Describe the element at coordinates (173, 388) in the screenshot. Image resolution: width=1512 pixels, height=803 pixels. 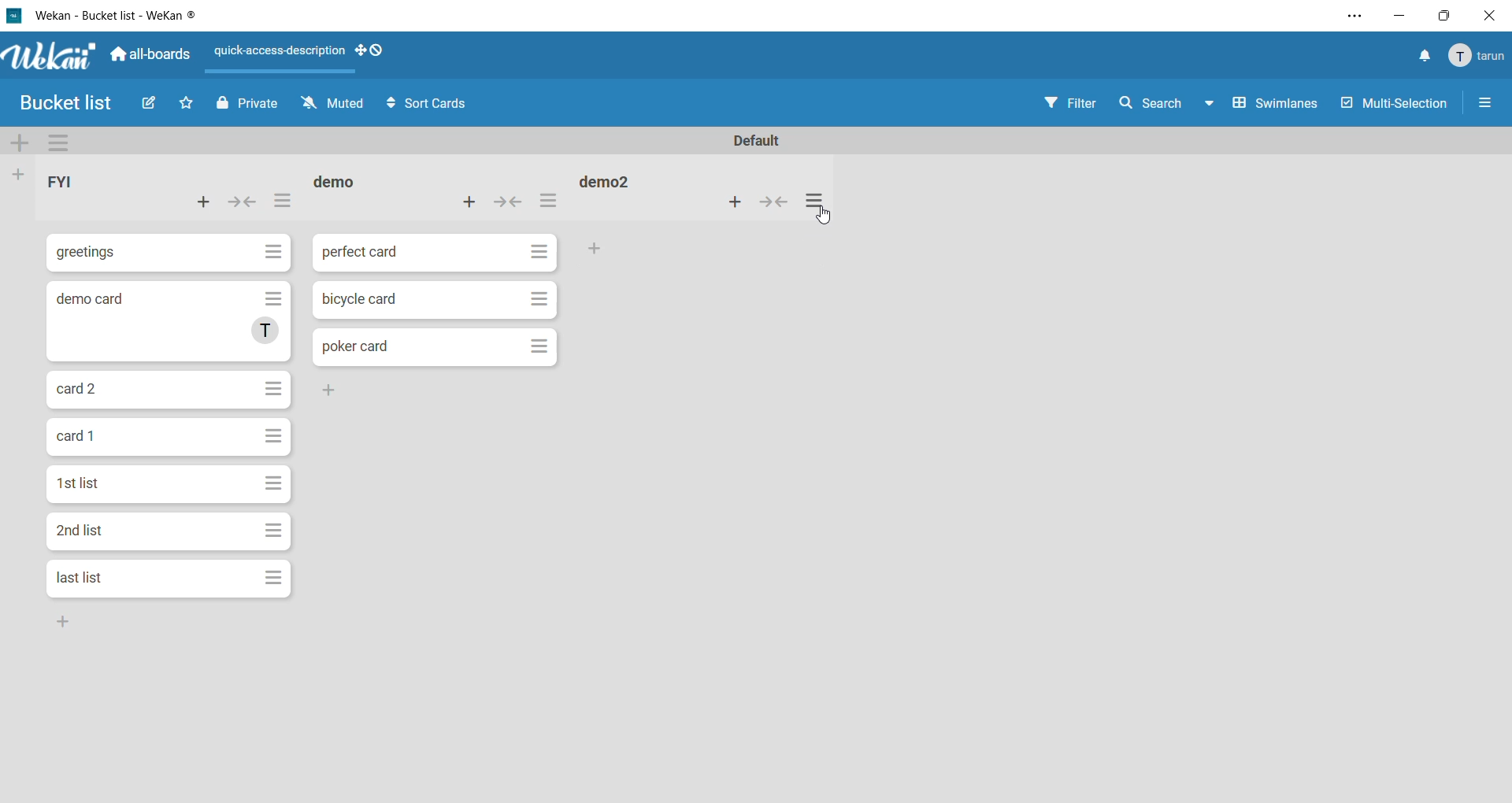
I see `cards` at that location.